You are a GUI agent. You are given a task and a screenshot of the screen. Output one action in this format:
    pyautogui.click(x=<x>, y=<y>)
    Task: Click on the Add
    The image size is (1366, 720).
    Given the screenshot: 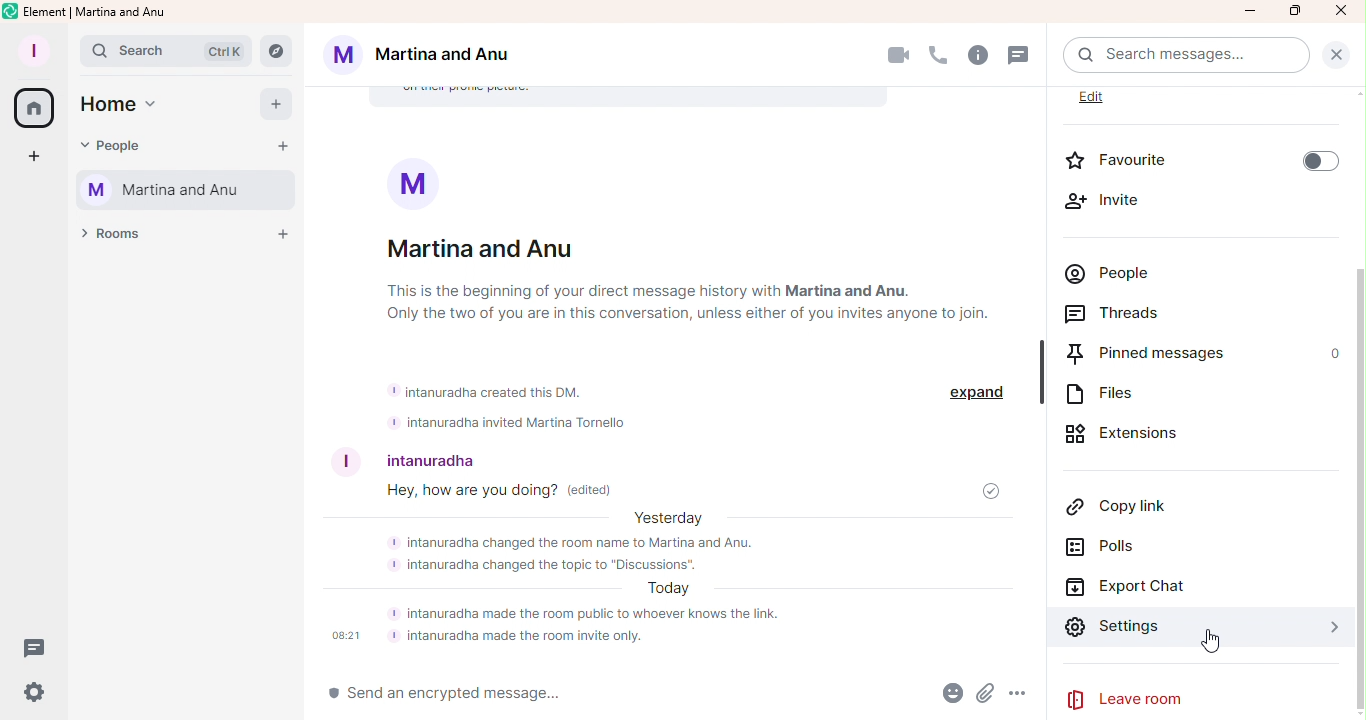 What is the action you would take?
    pyautogui.click(x=280, y=106)
    